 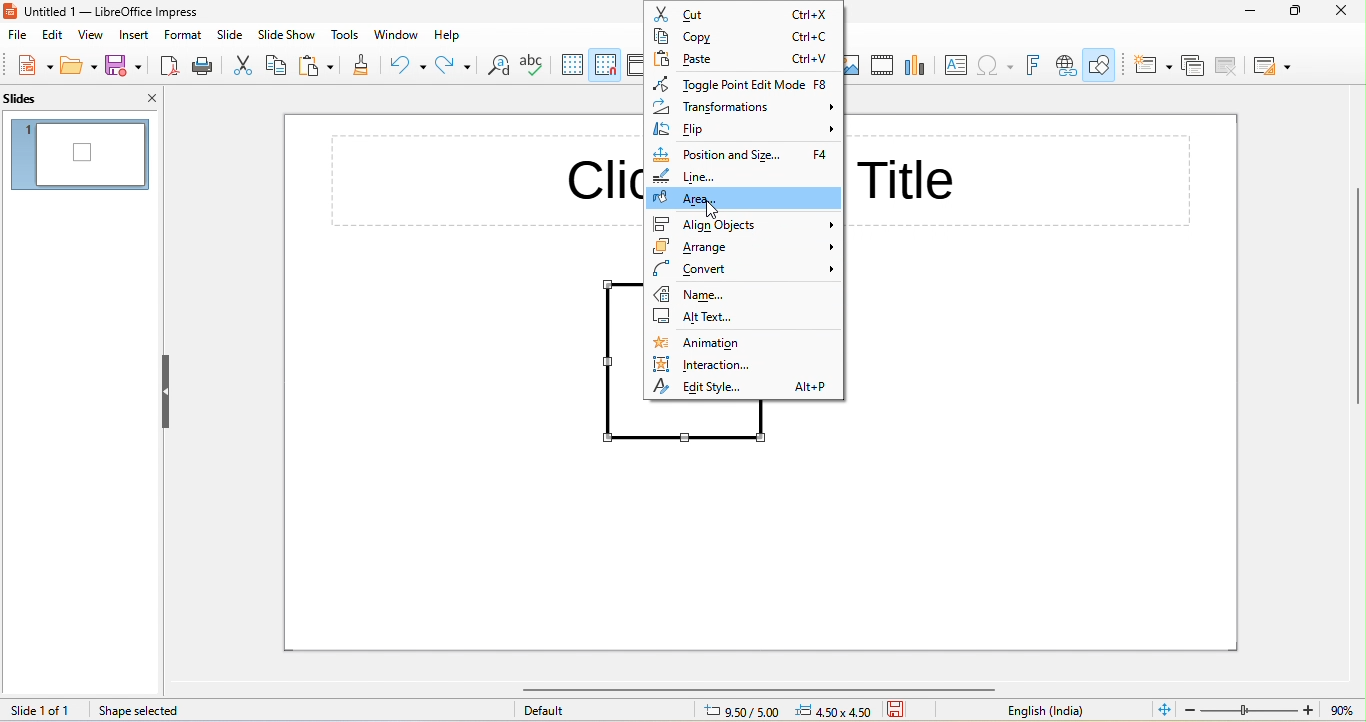 I want to click on delete slide, so click(x=1226, y=65).